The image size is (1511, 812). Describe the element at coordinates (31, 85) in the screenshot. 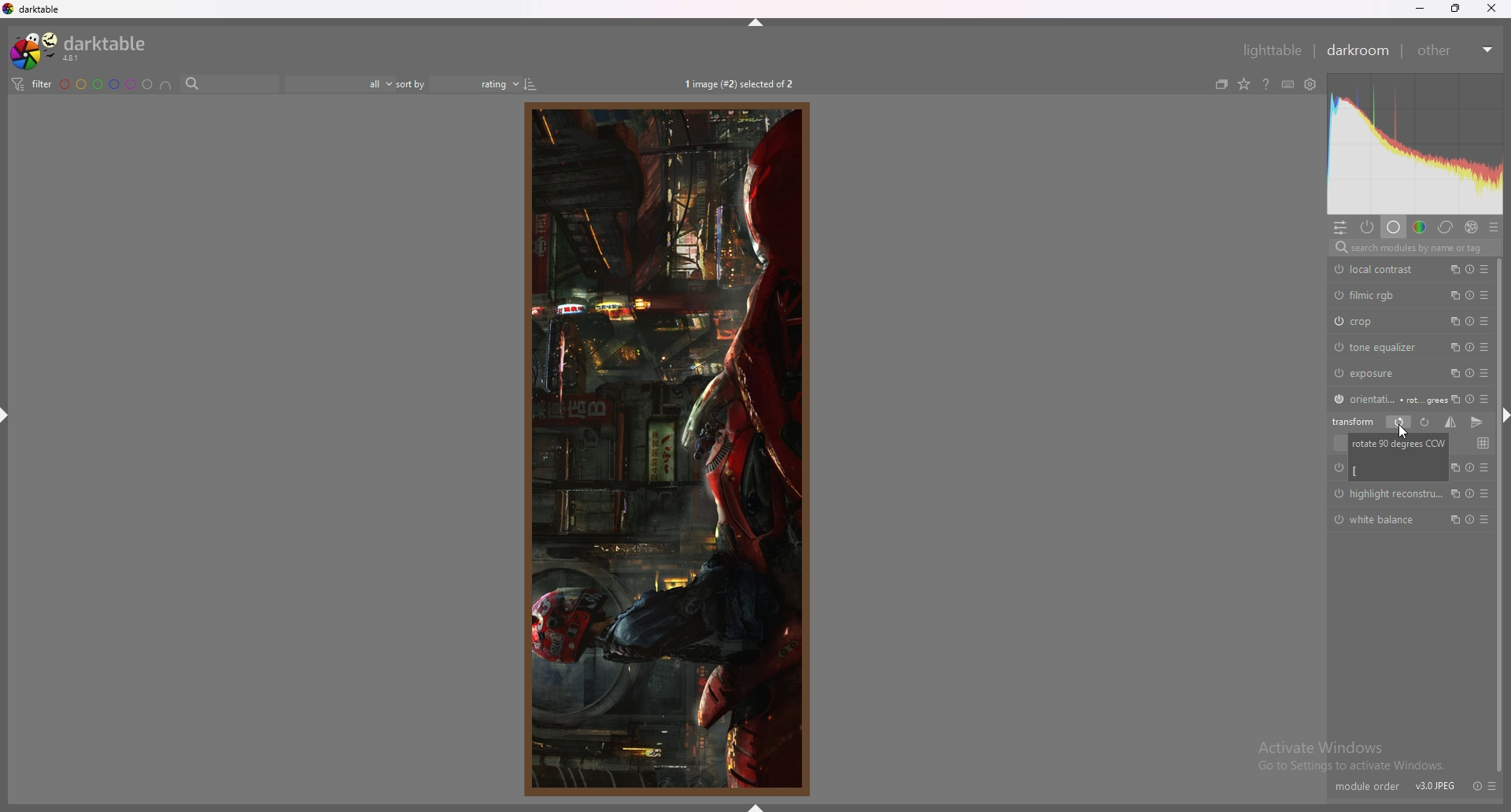

I see `filter` at that location.